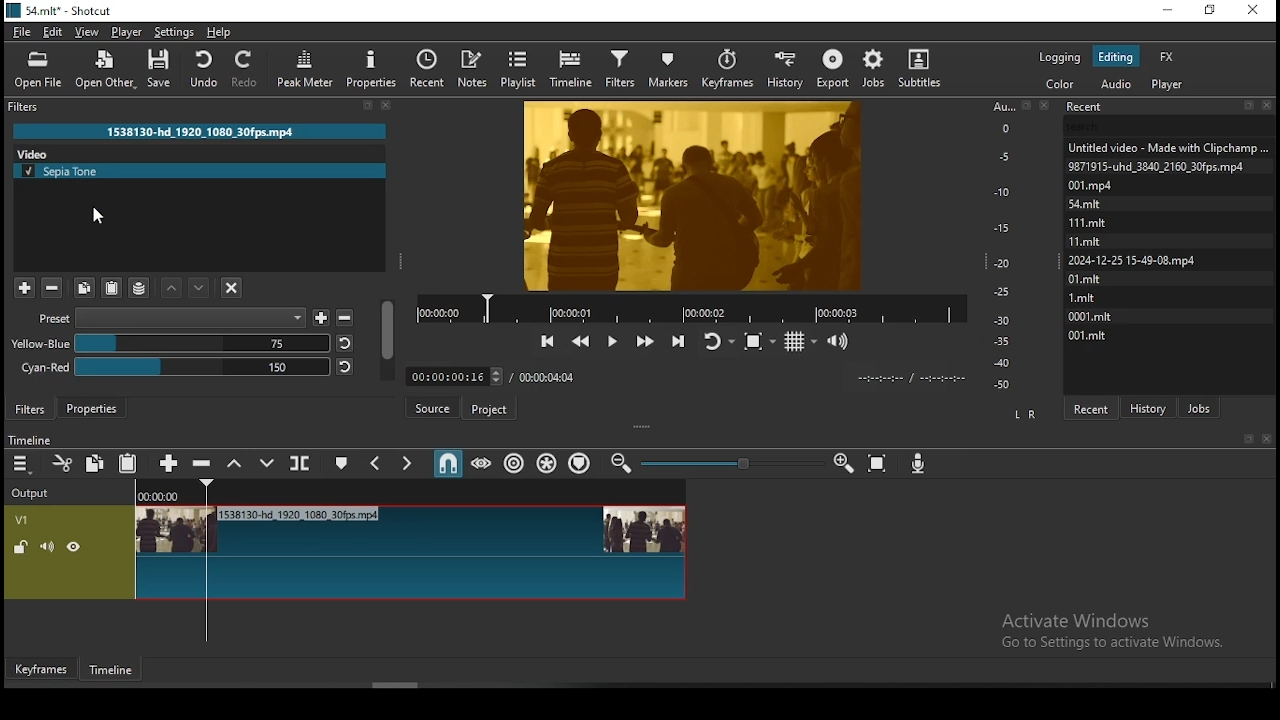  What do you see at coordinates (674, 66) in the screenshot?
I see `markers` at bounding box center [674, 66].